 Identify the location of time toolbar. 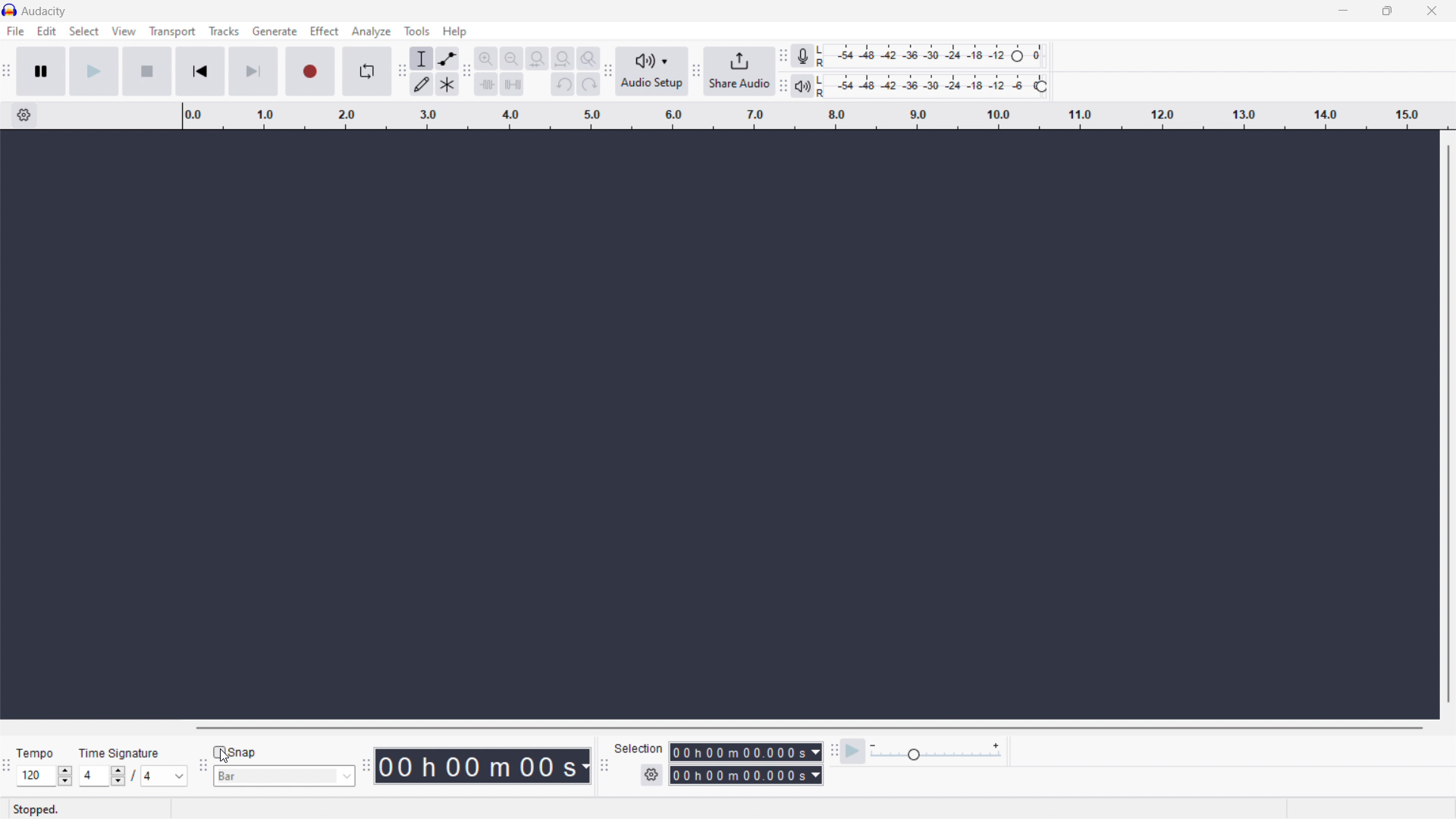
(364, 766).